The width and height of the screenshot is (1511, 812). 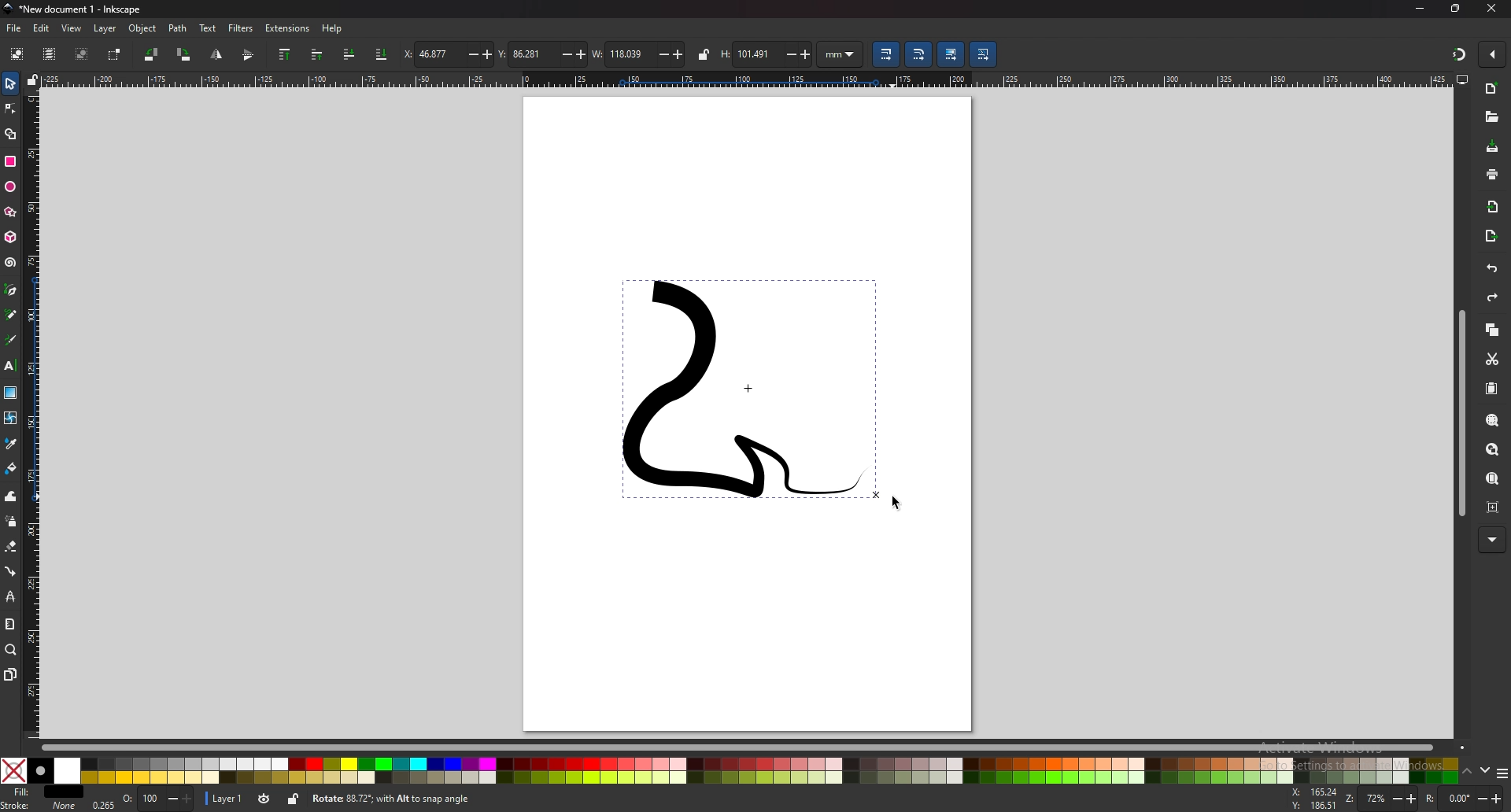 I want to click on redo, so click(x=1494, y=297).